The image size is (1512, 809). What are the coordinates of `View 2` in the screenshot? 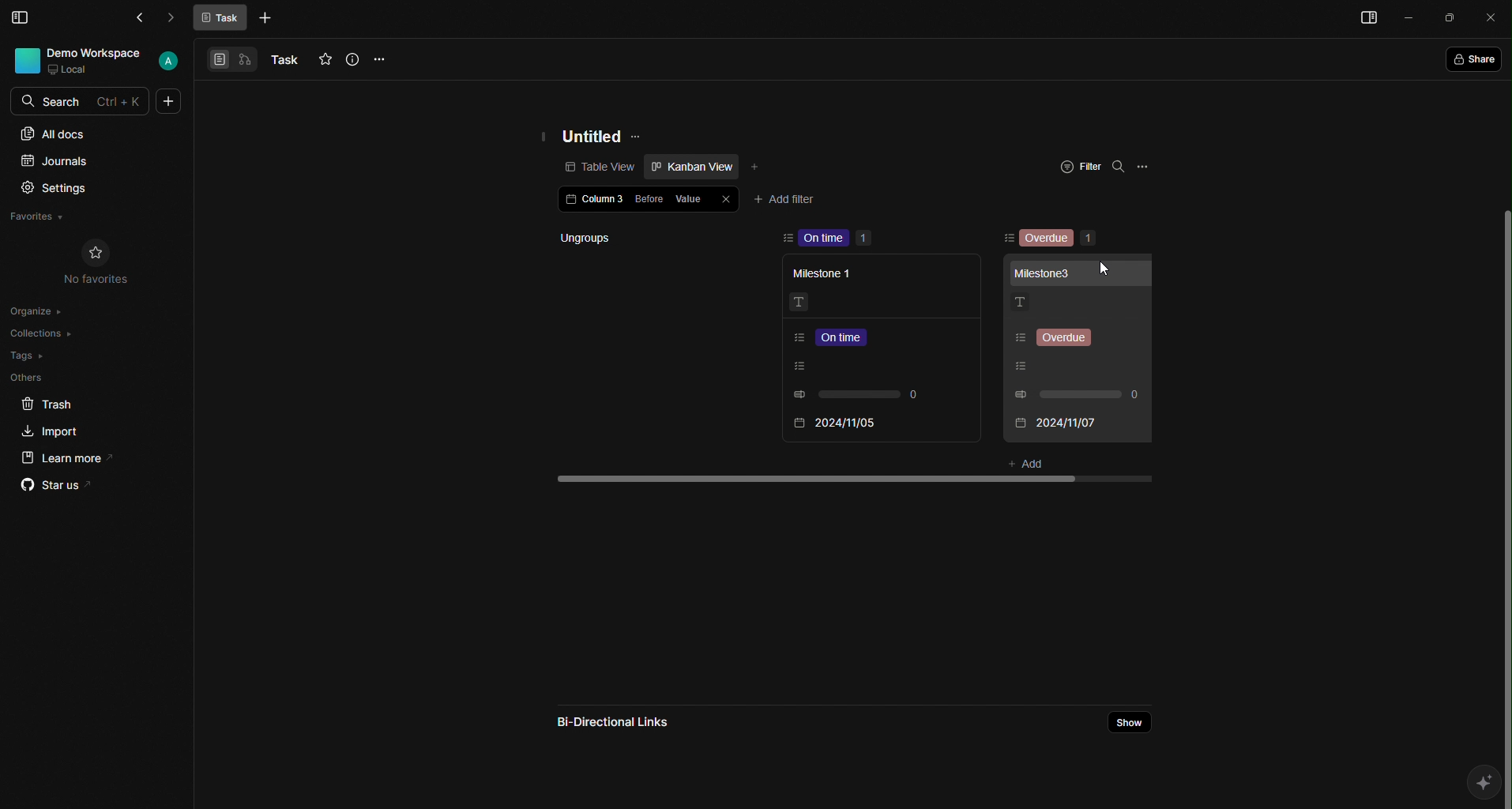 It's located at (244, 62).